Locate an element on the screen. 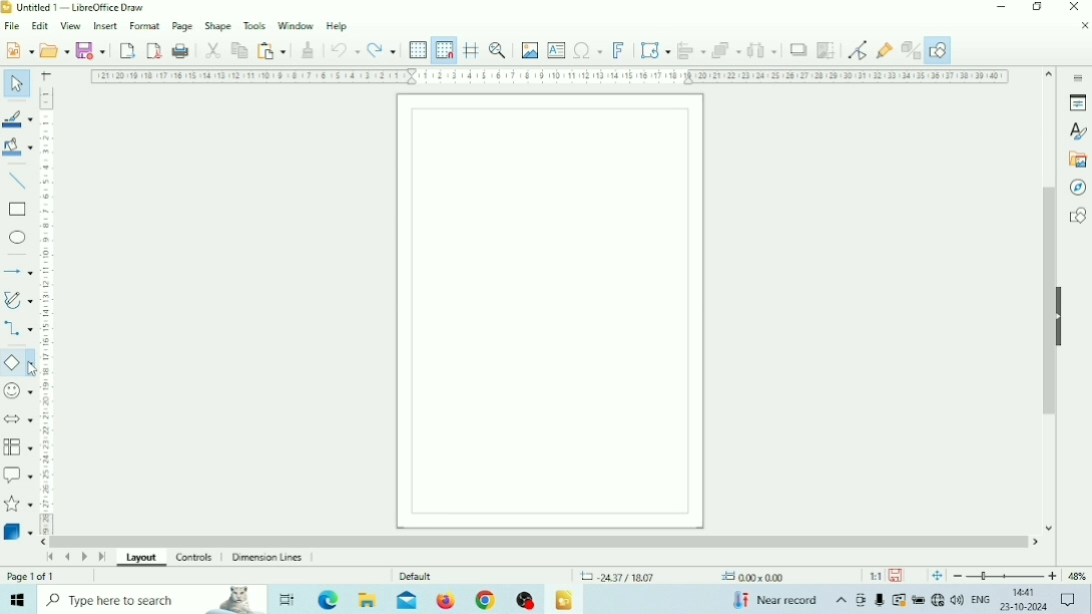  Horizontal scale is located at coordinates (551, 77).